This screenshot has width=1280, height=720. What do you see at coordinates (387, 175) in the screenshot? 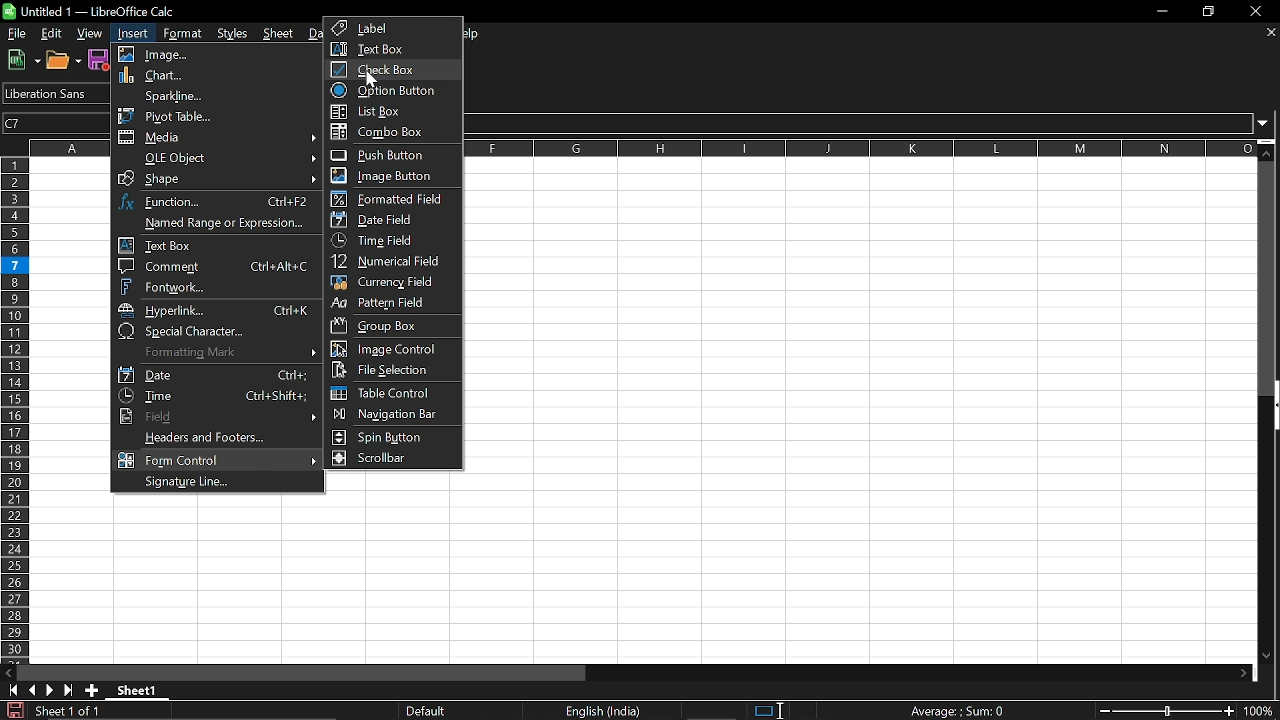
I see `Image button` at bounding box center [387, 175].